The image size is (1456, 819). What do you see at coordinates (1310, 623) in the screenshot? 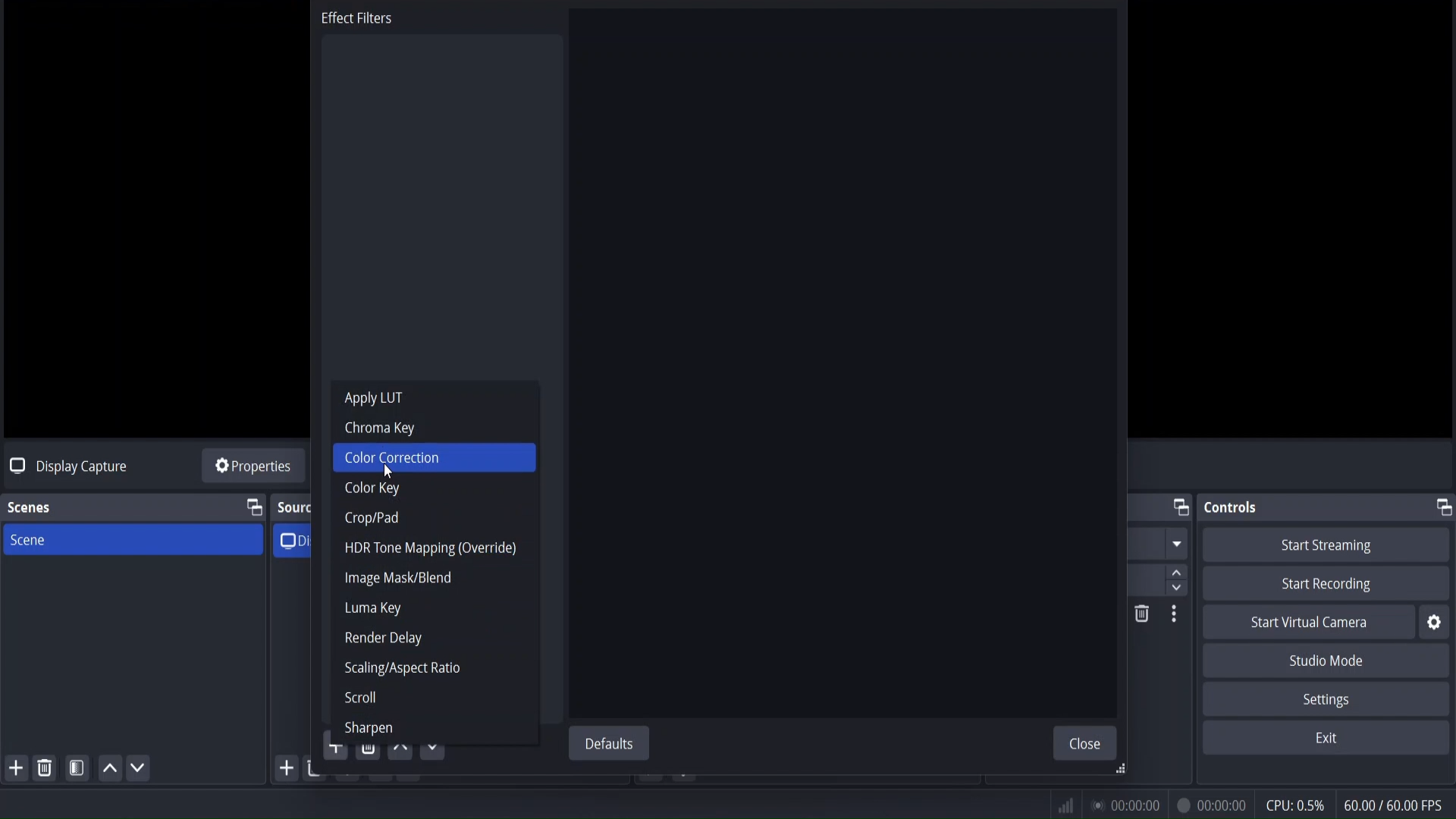
I see `start virtual camera` at bounding box center [1310, 623].